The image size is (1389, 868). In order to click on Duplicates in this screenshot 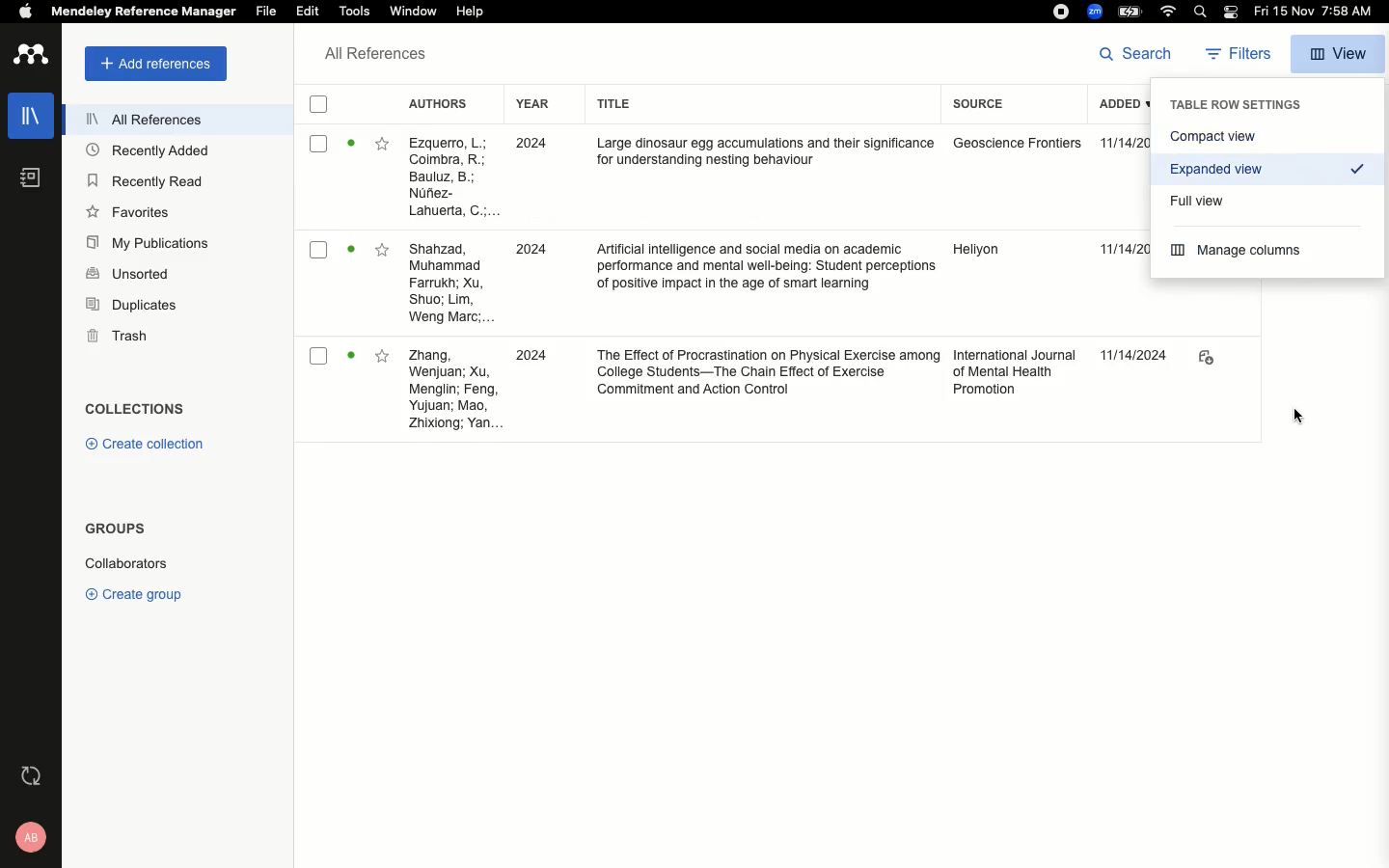, I will do `click(129, 307)`.